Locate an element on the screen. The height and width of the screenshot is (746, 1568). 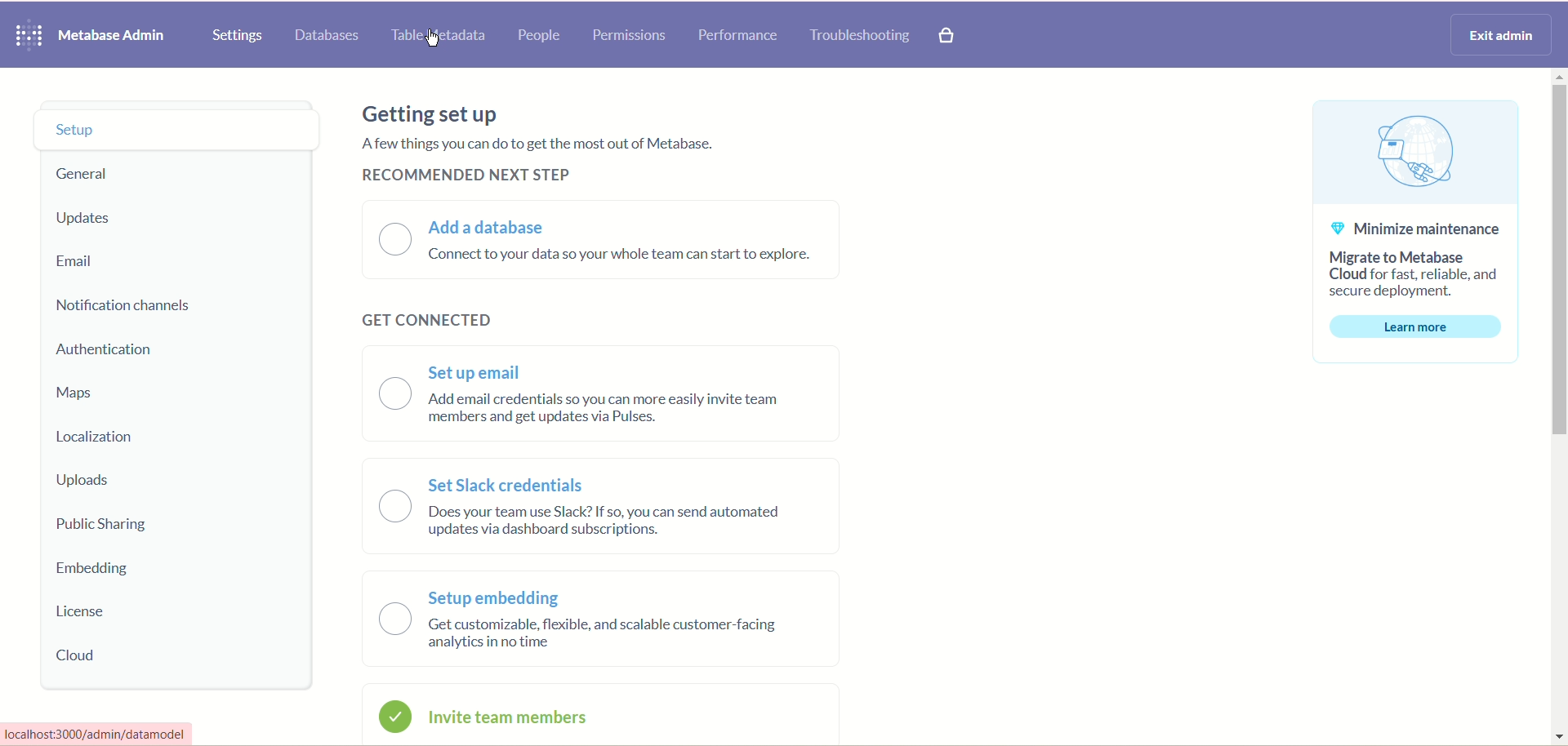
toggle button is located at coordinates (395, 239).